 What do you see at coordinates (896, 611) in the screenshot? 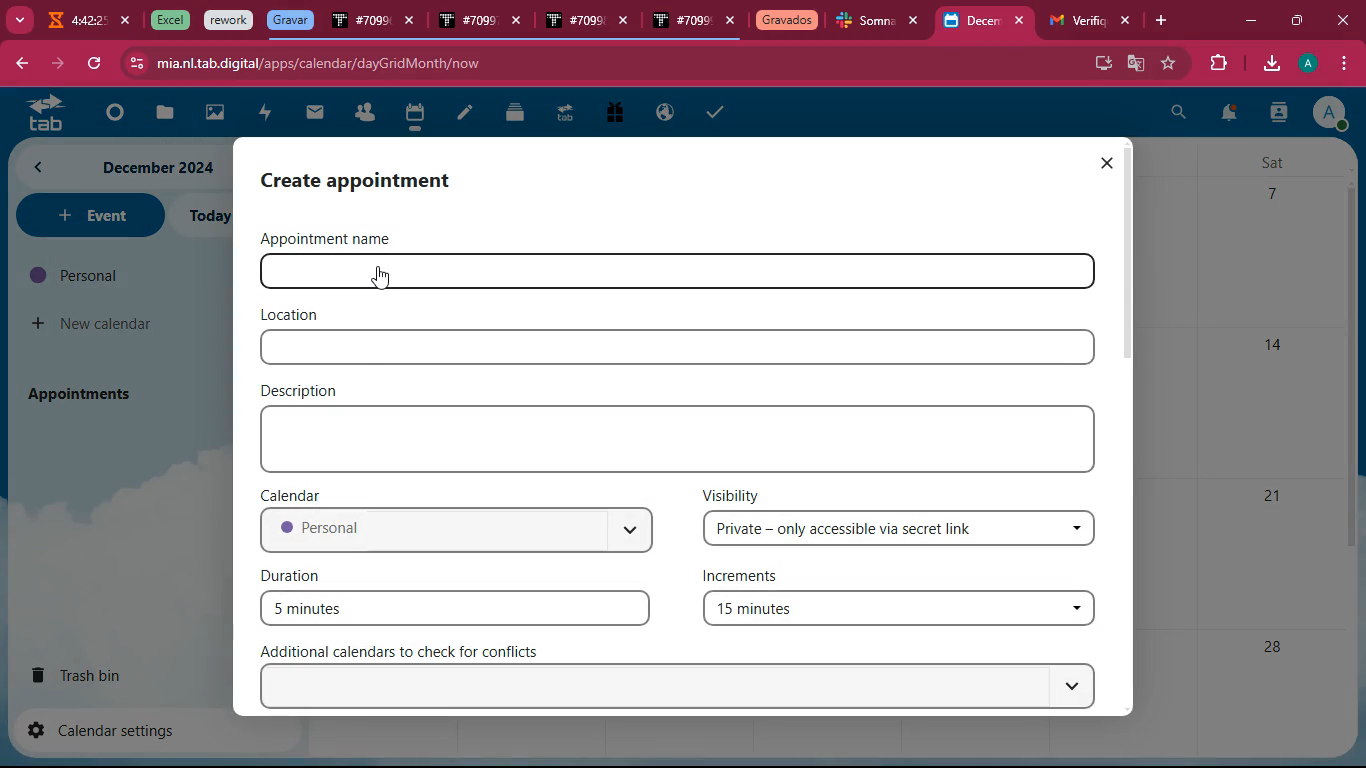
I see `15 minutes` at bounding box center [896, 611].